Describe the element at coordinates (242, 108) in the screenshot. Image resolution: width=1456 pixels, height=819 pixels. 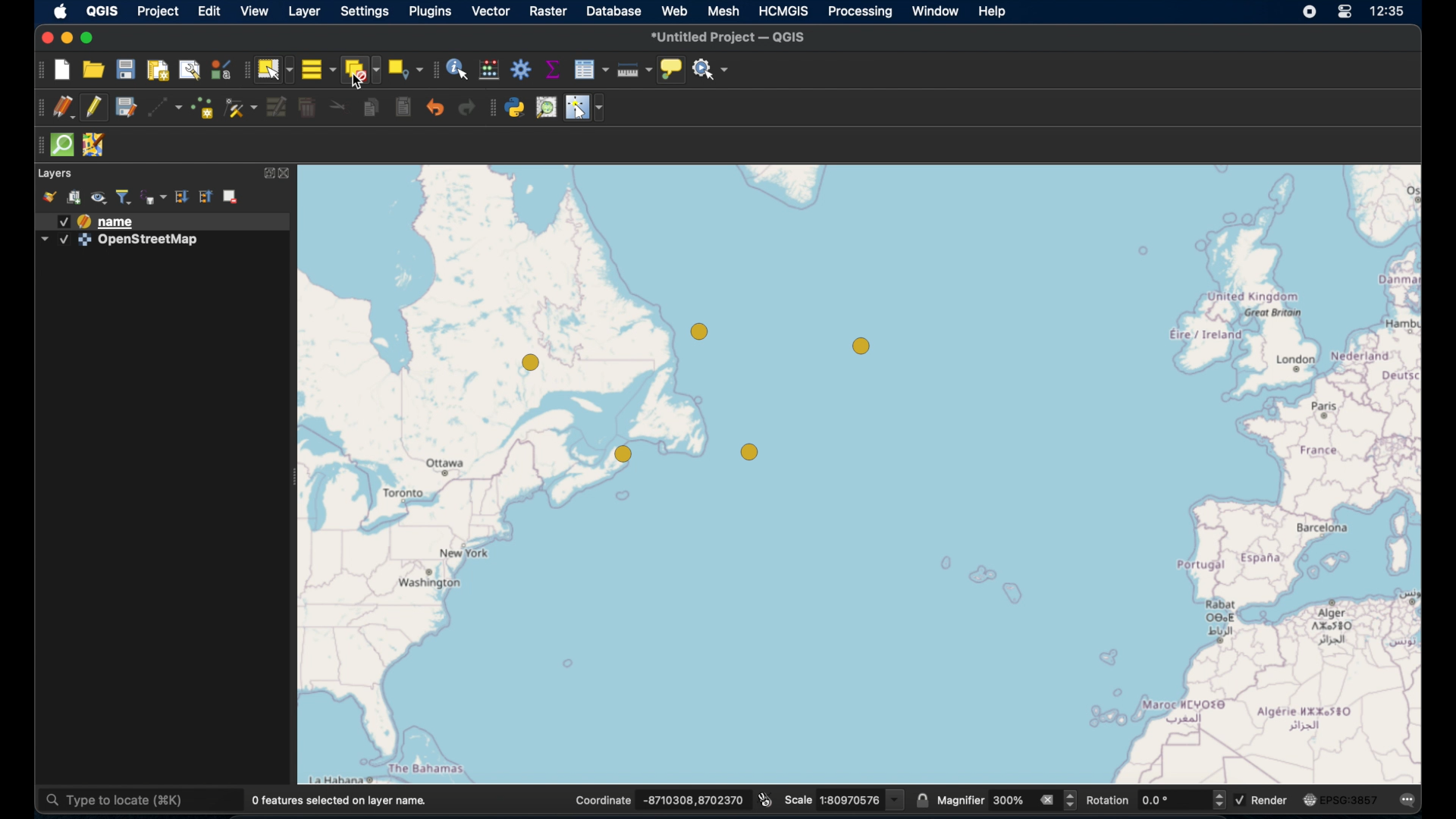
I see `vertex tool` at that location.